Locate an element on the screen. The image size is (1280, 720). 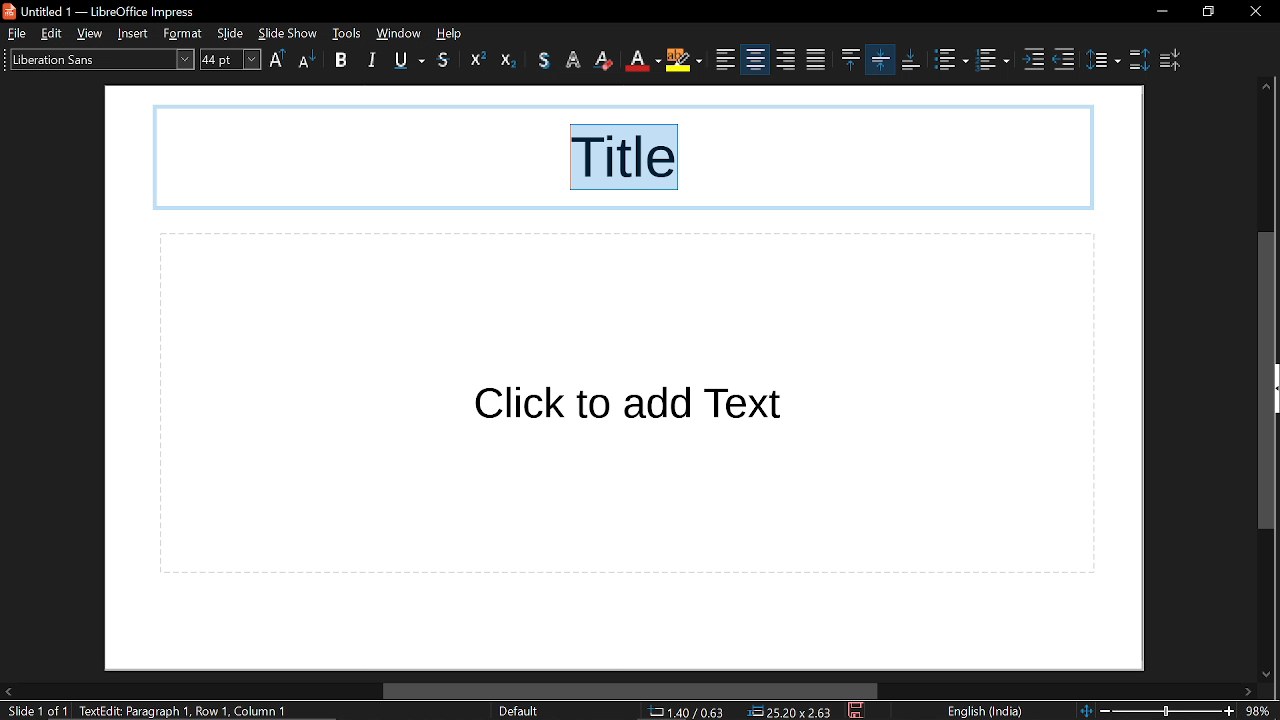
toggle ordered list is located at coordinates (995, 62).